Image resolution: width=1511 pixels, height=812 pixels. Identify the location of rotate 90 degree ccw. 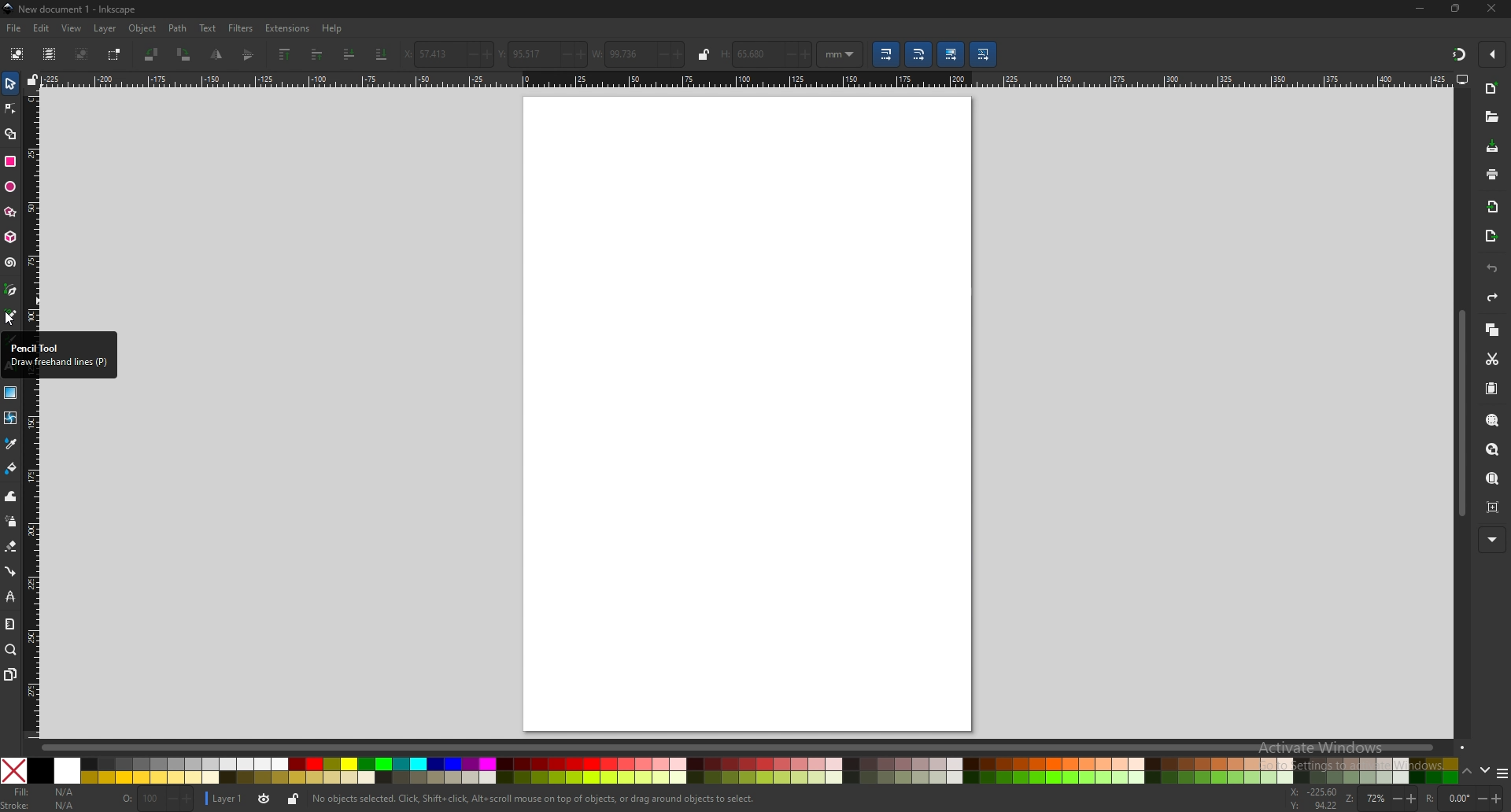
(152, 54).